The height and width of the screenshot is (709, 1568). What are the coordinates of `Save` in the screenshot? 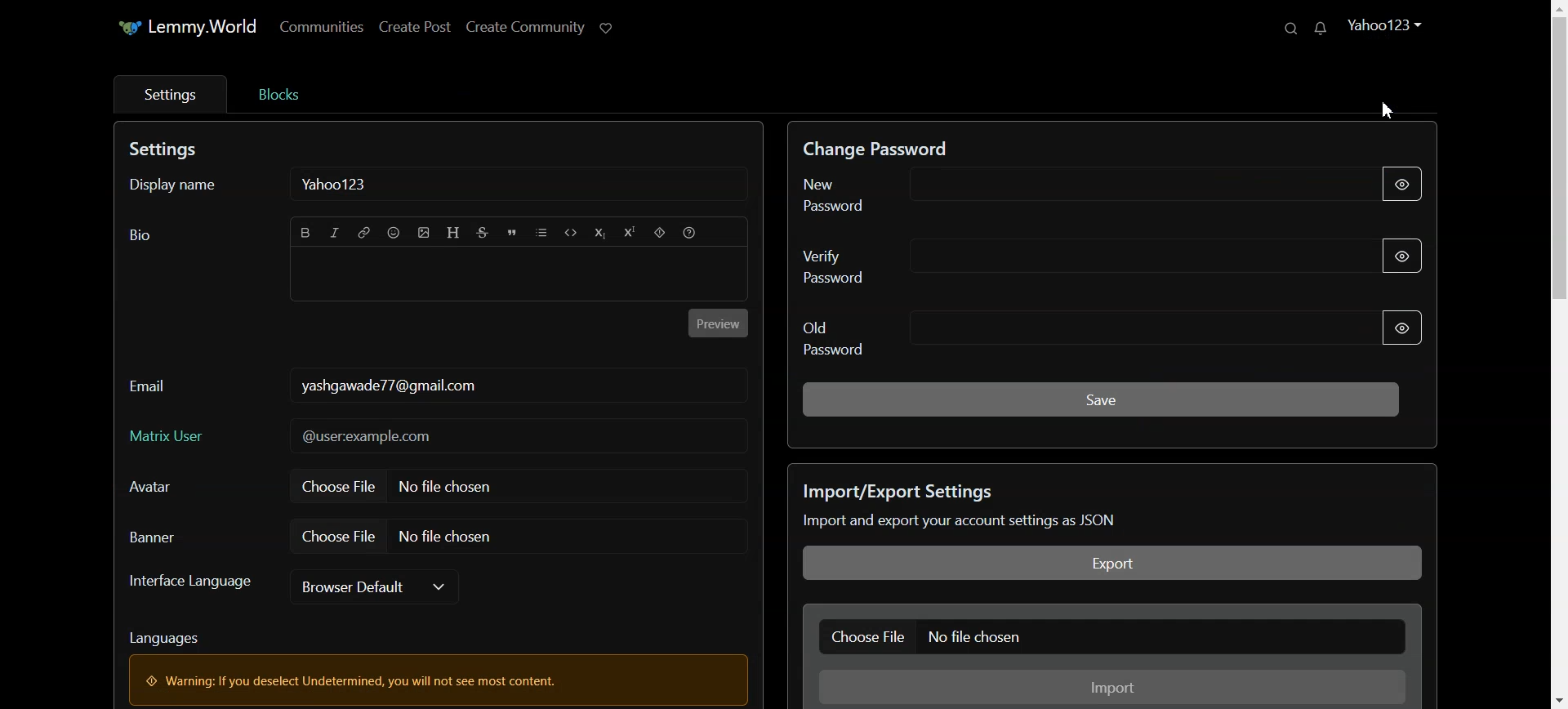 It's located at (1103, 399).